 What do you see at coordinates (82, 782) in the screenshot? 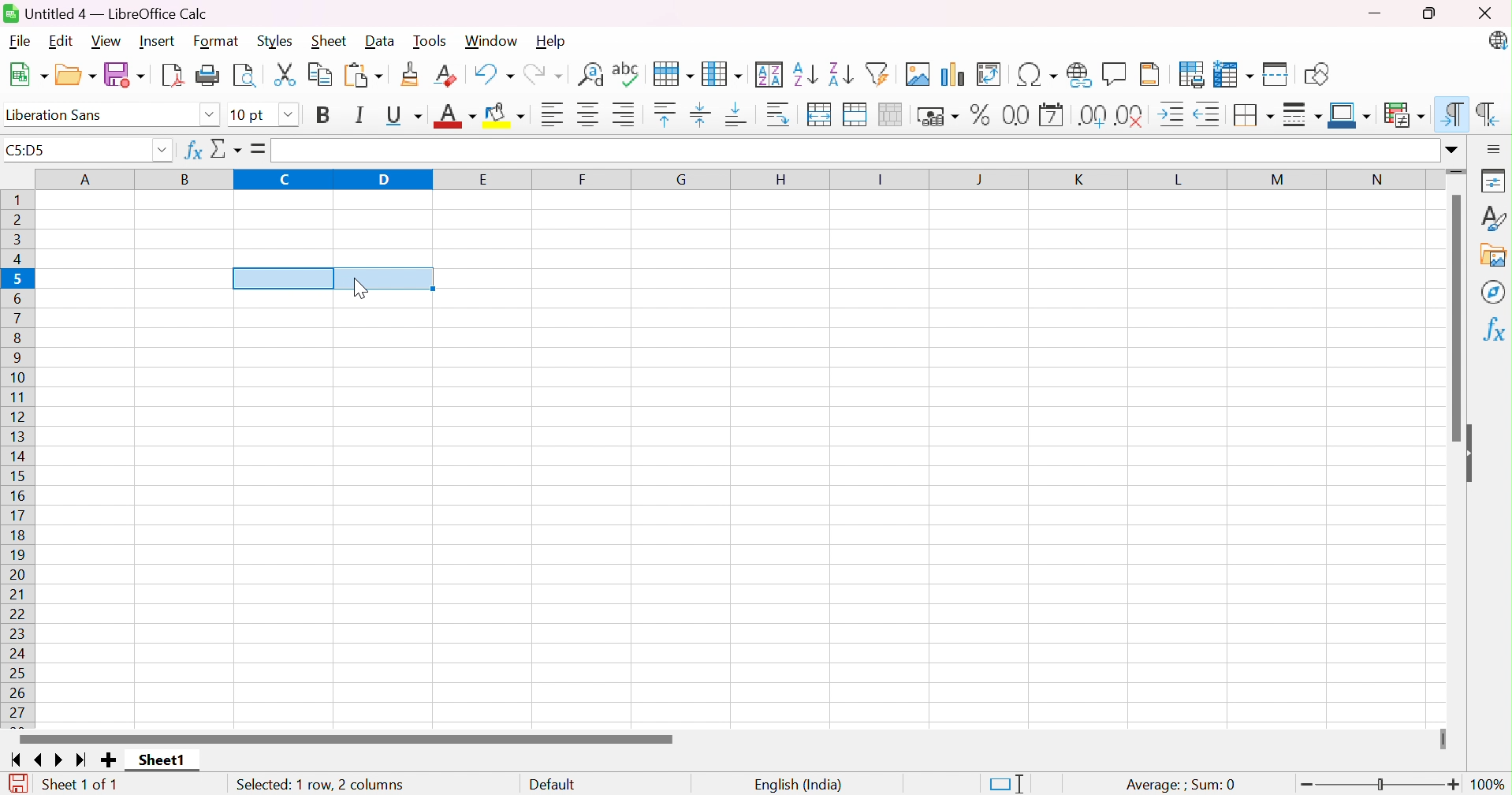
I see `Sheet 1 of 1` at bounding box center [82, 782].